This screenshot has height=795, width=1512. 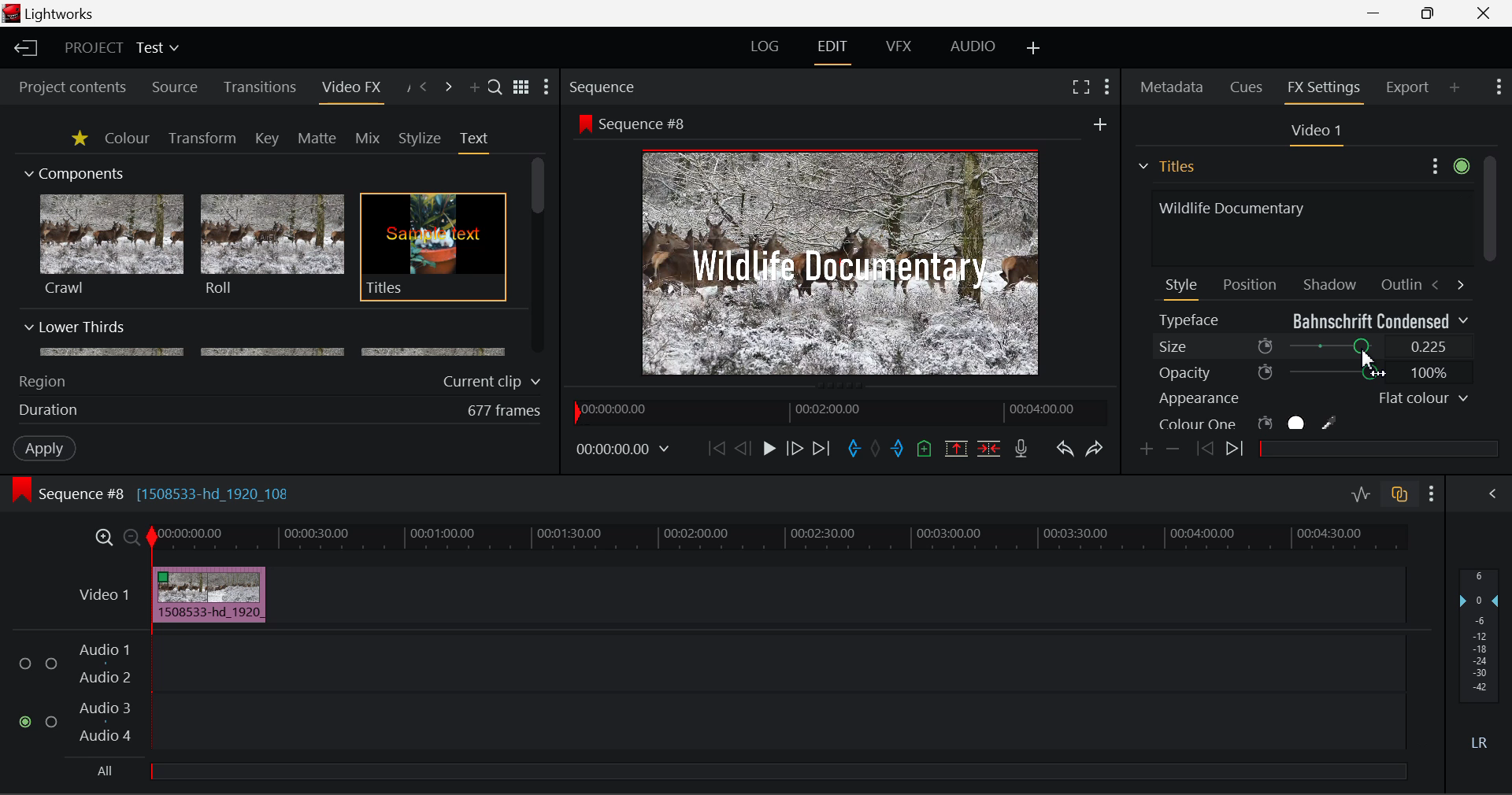 I want to click on Audio 2, so click(x=106, y=678).